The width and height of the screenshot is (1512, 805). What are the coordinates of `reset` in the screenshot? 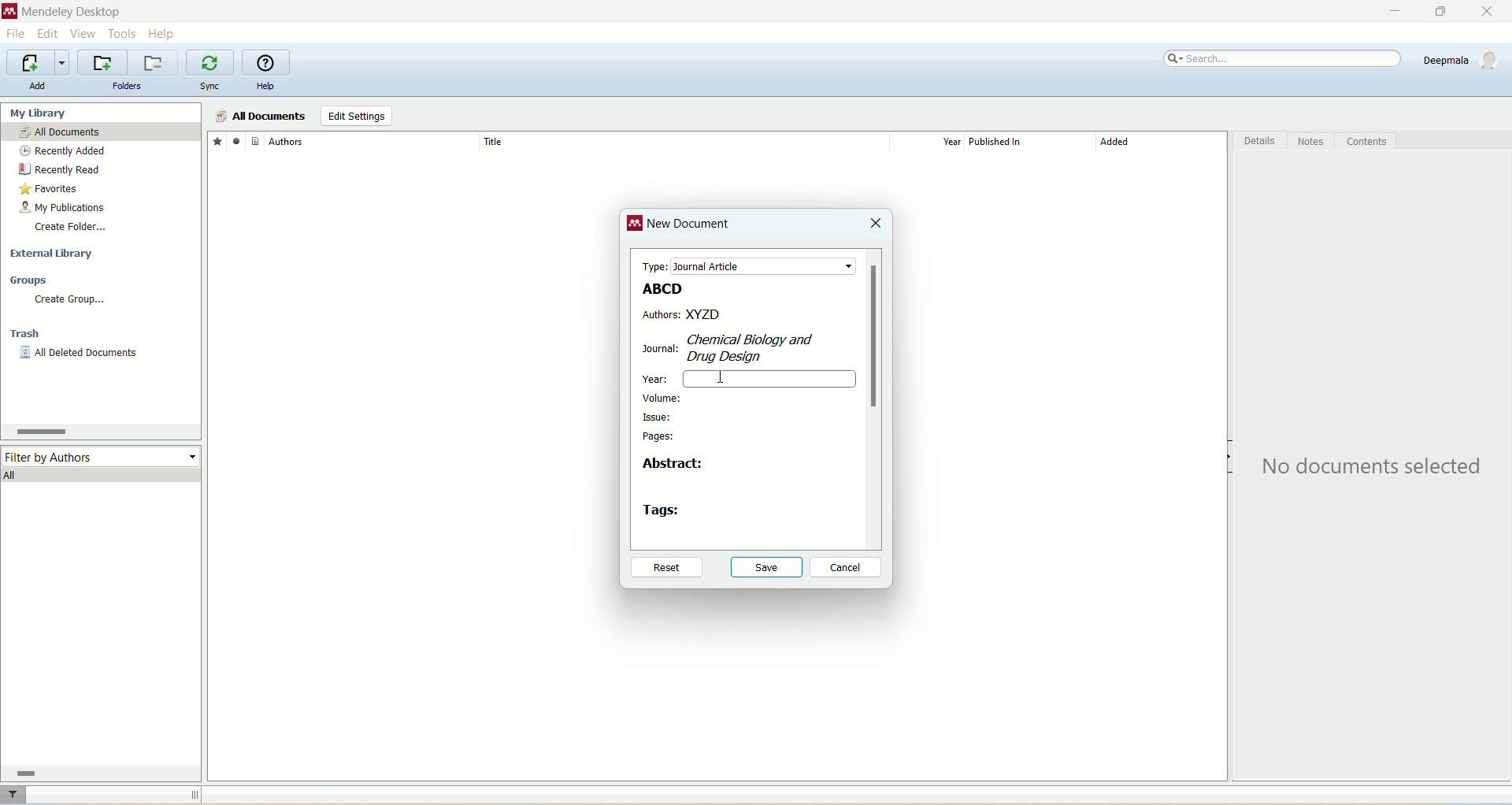 It's located at (665, 569).